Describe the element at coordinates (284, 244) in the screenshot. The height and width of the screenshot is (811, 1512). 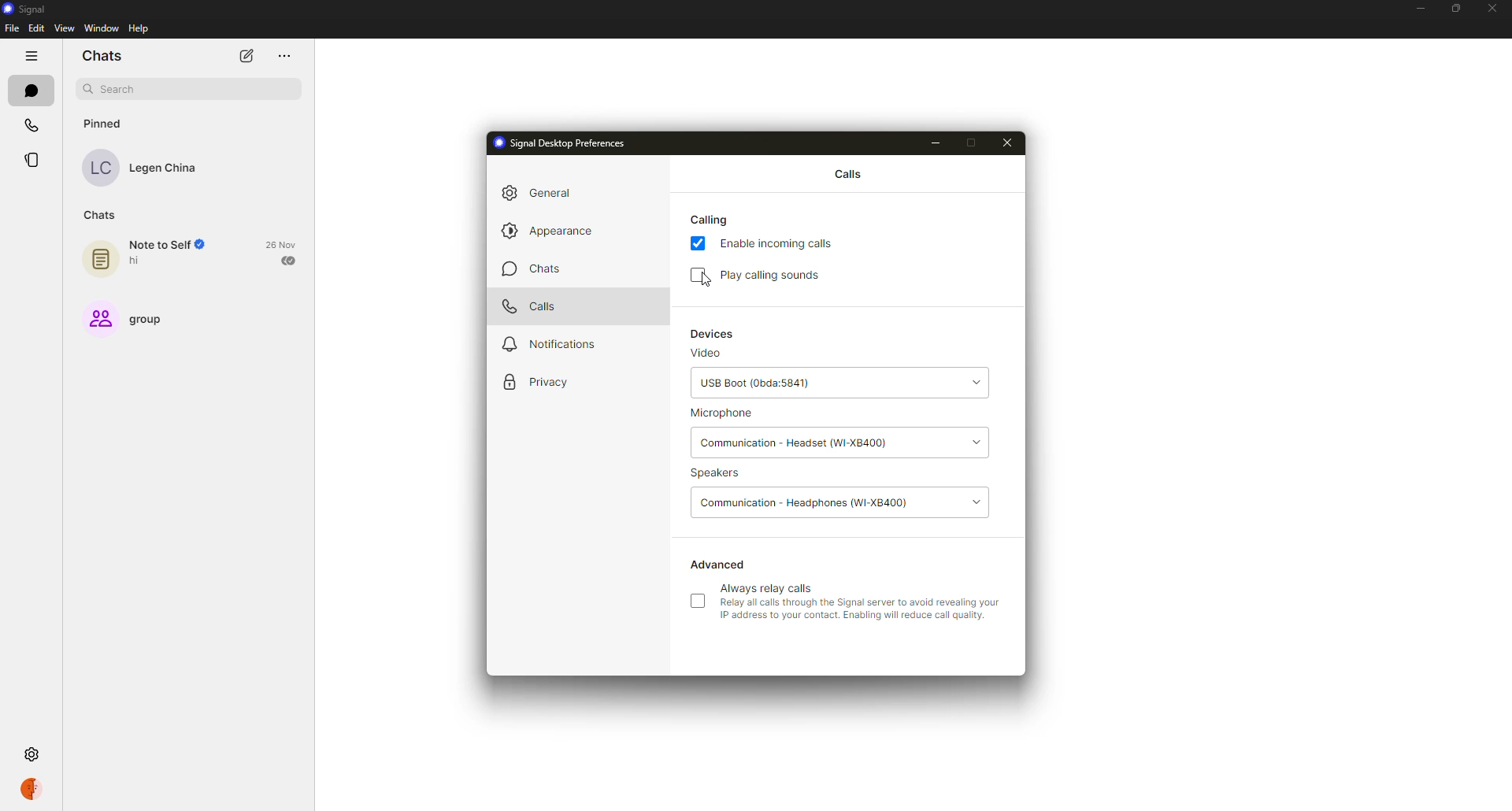
I see `26 Nov` at that location.